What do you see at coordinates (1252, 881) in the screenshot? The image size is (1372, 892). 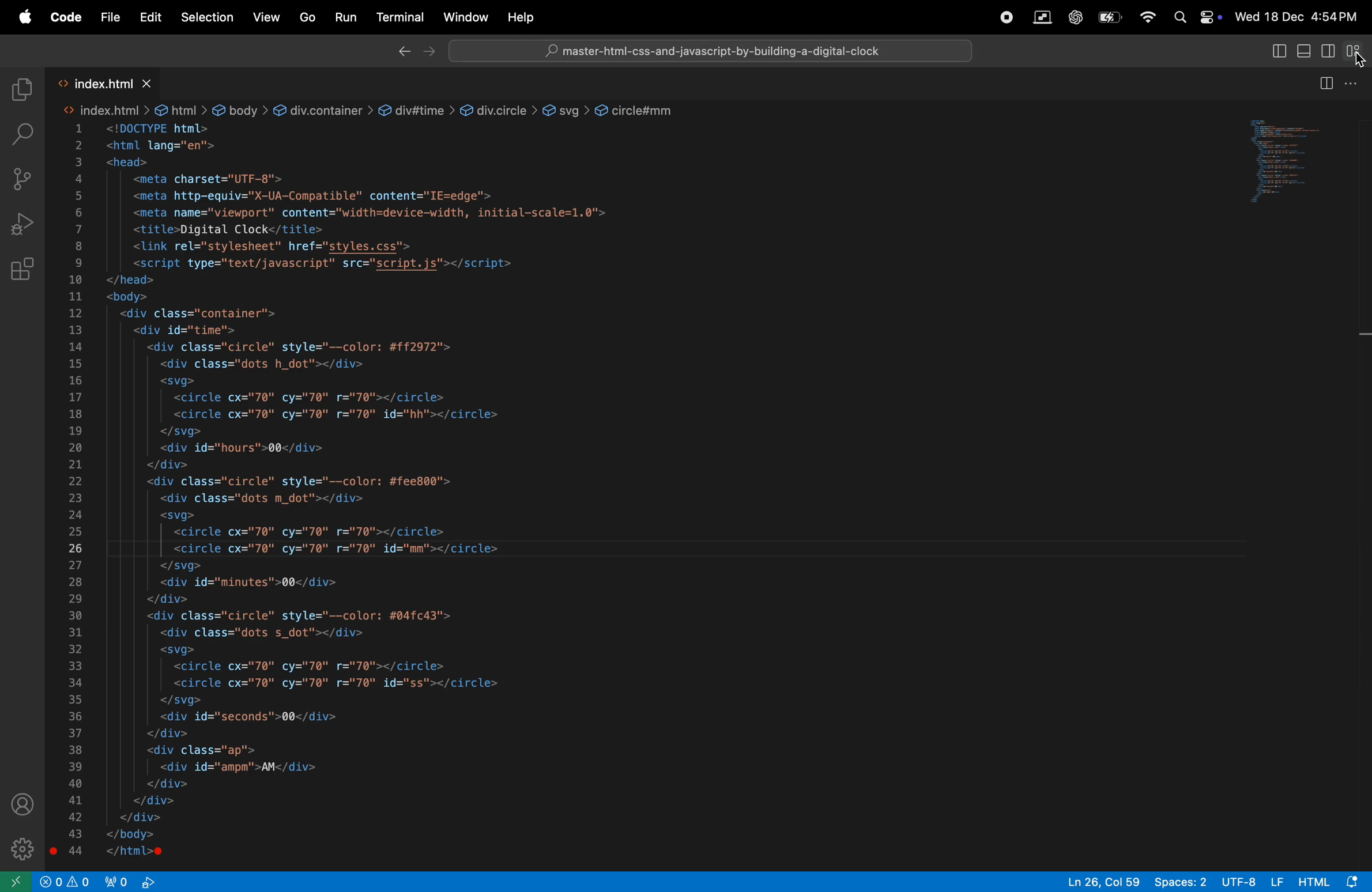 I see `utf-8` at bounding box center [1252, 881].